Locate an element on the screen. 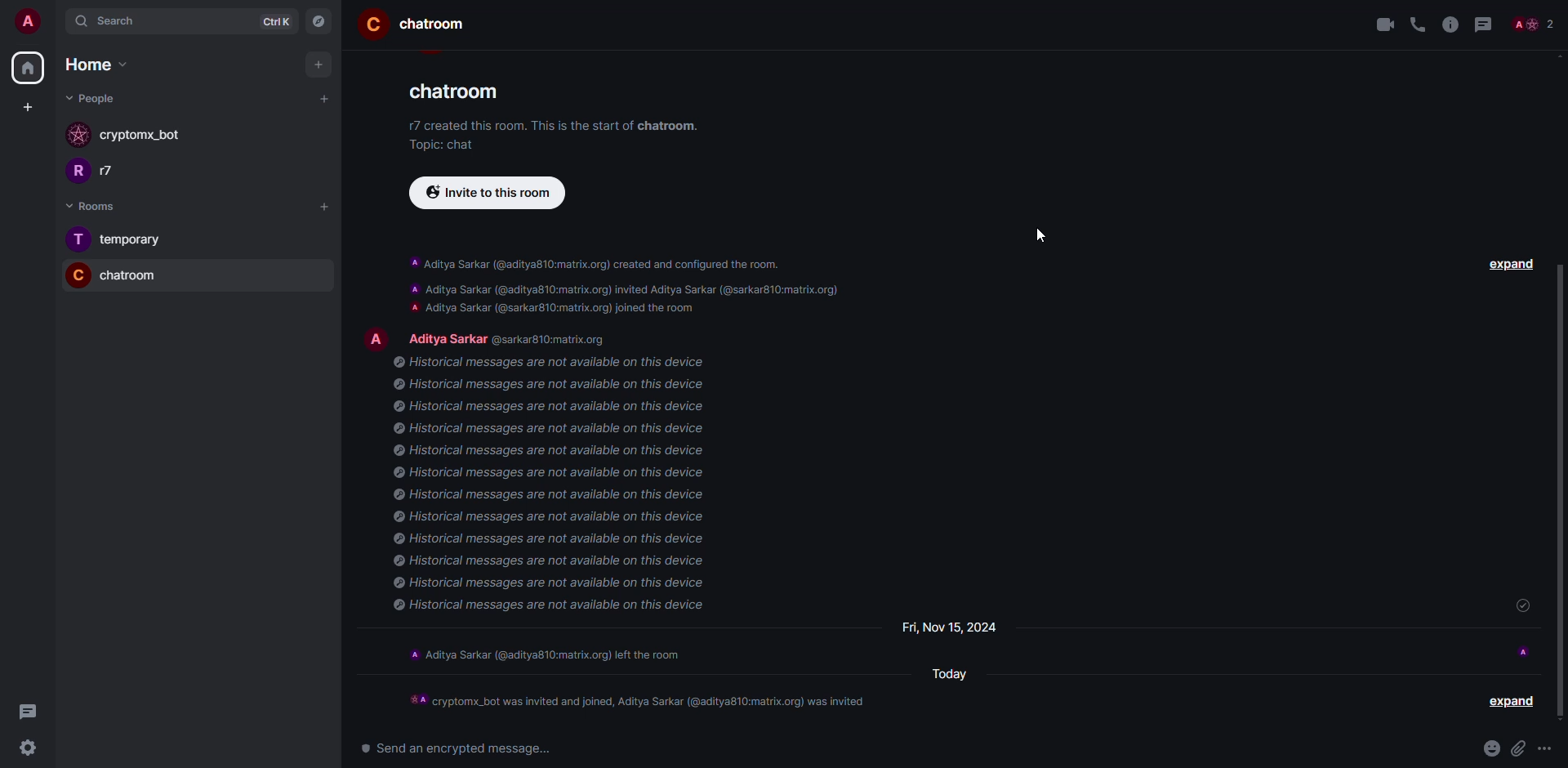 This screenshot has width=1568, height=768. id is located at coordinates (557, 340).